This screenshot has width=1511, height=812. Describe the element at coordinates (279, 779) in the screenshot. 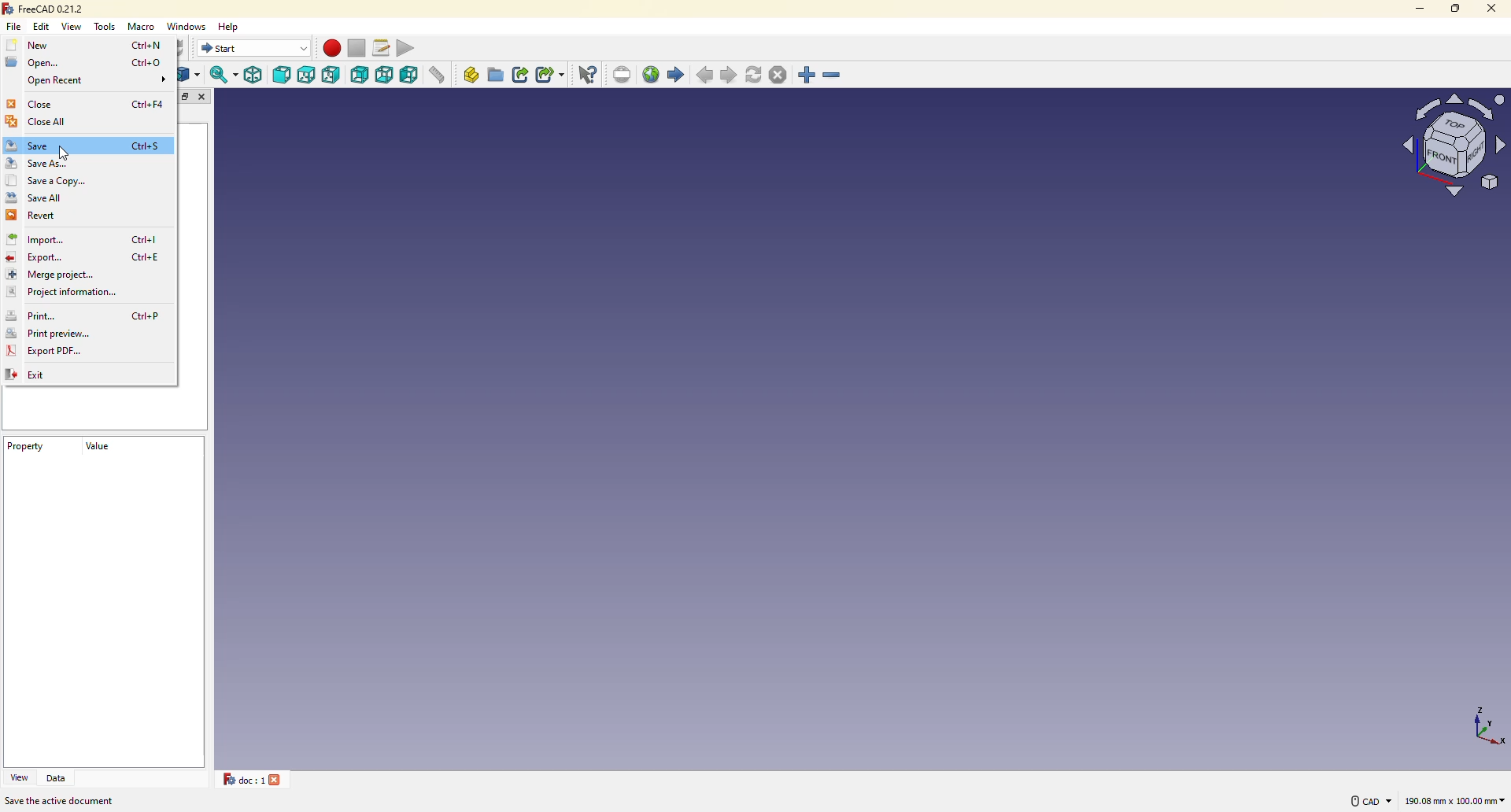

I see `close tab` at that location.